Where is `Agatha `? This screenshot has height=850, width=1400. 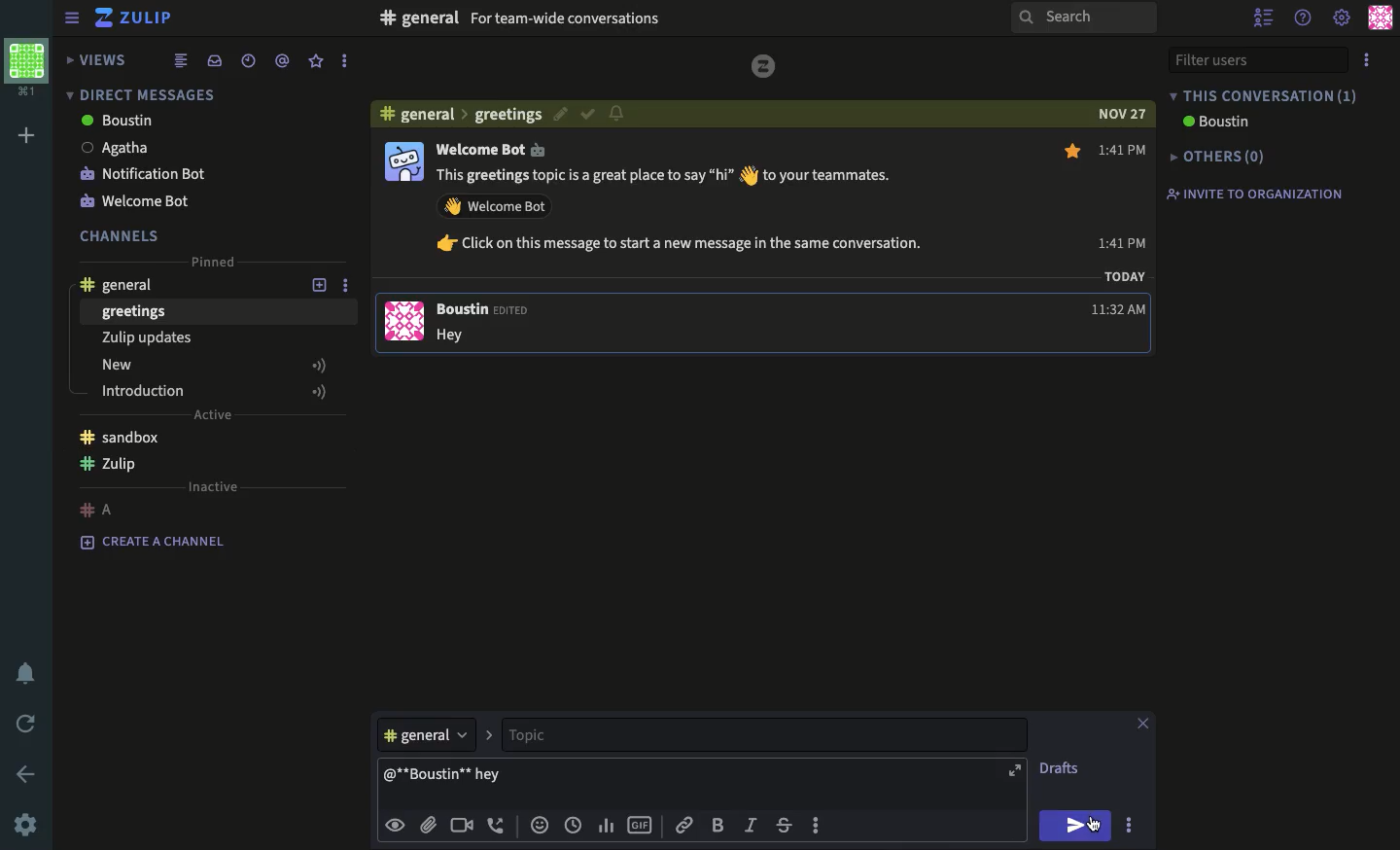
Agatha  is located at coordinates (115, 147).